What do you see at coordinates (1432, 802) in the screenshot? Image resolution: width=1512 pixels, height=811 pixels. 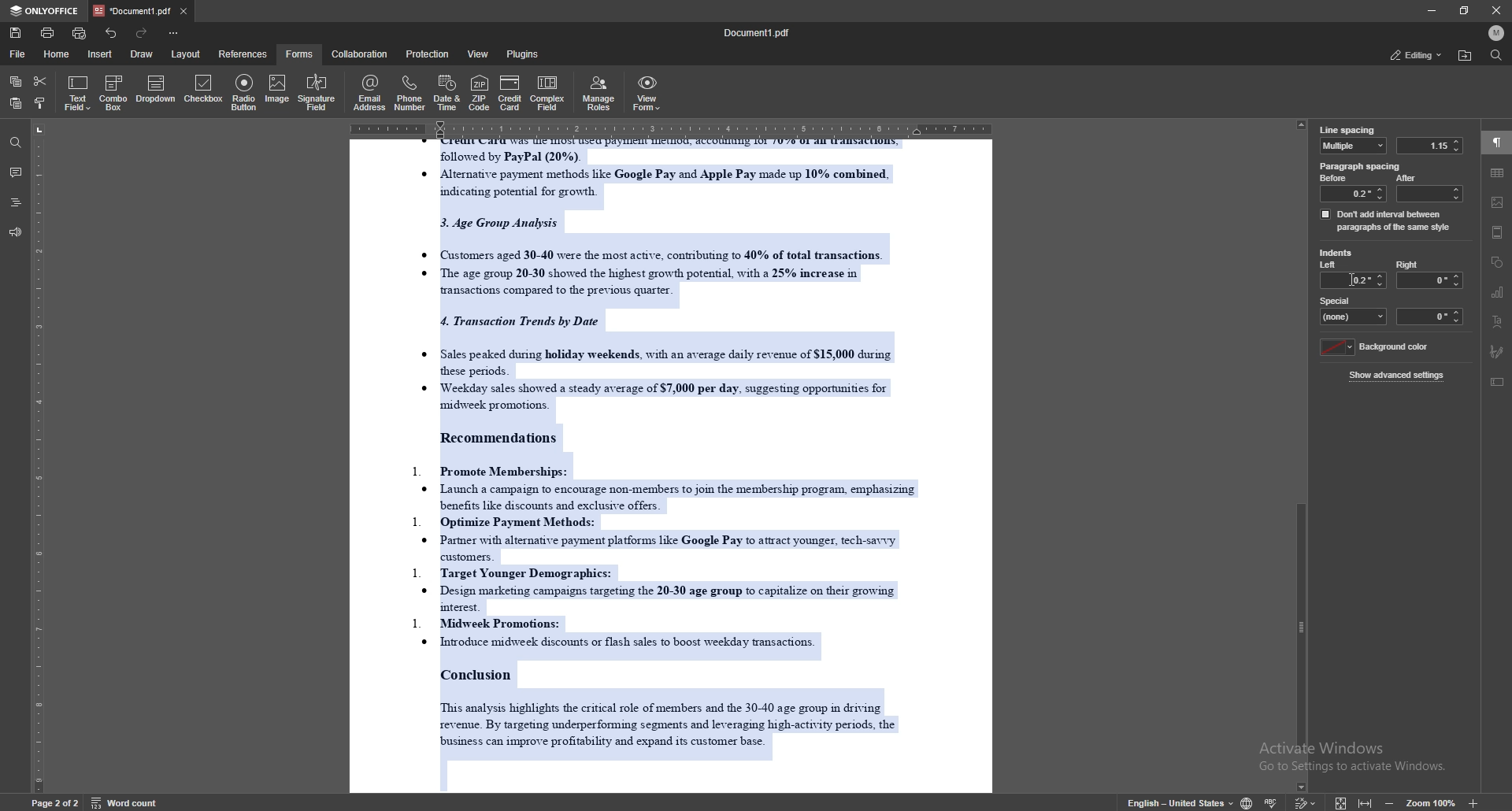 I see `zoom` at bounding box center [1432, 802].